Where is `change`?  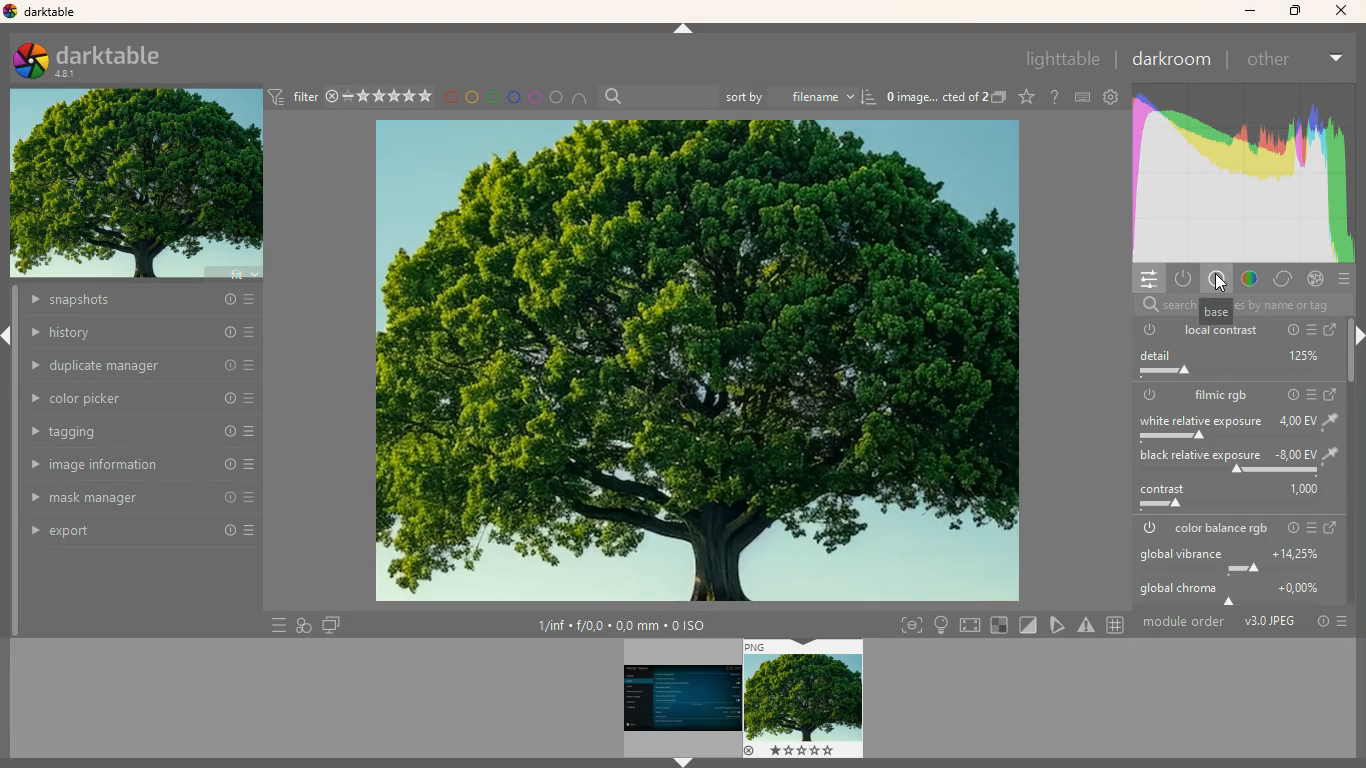
change is located at coordinates (1333, 396).